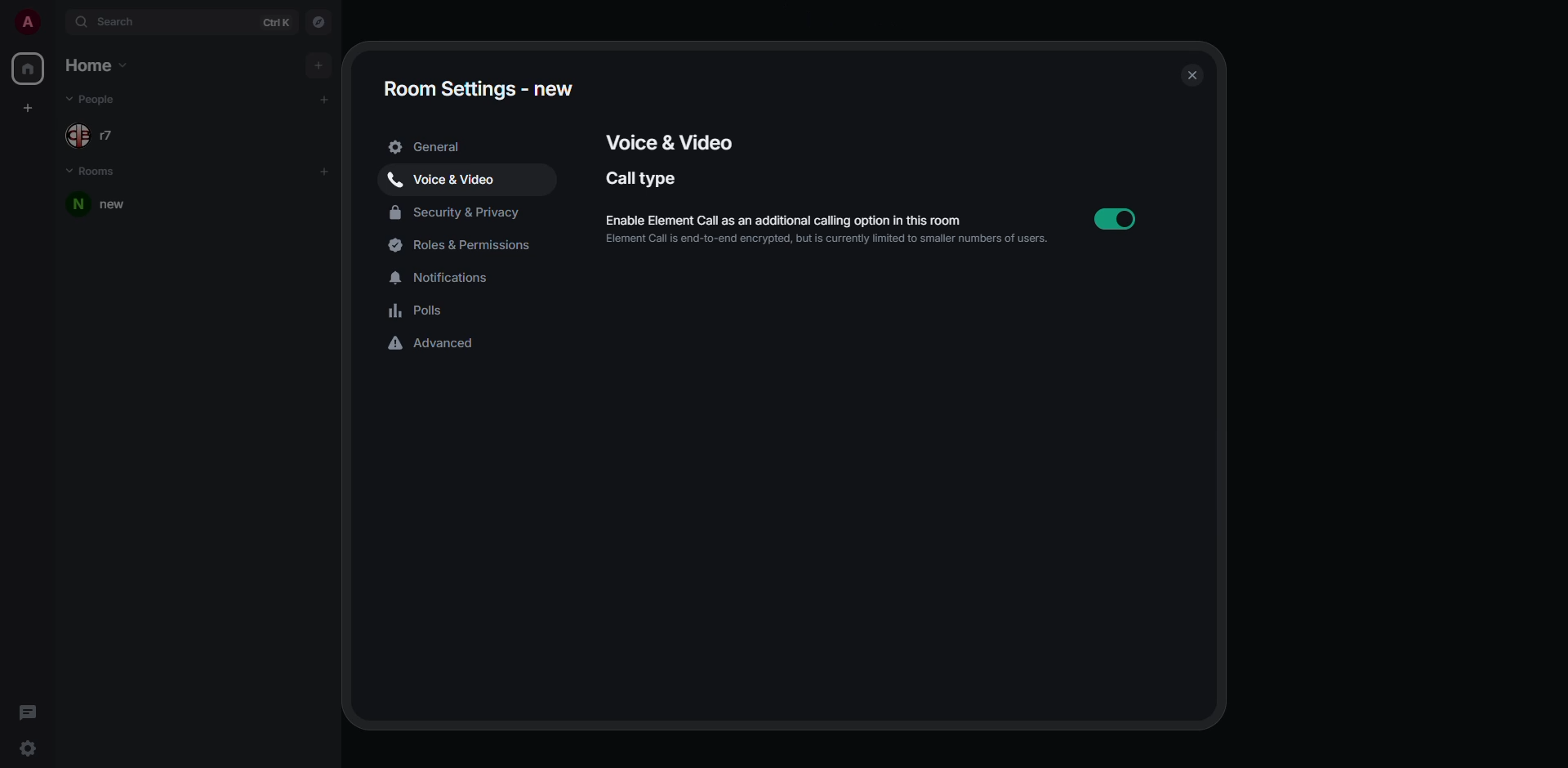  I want to click on room settings - new , so click(478, 88).